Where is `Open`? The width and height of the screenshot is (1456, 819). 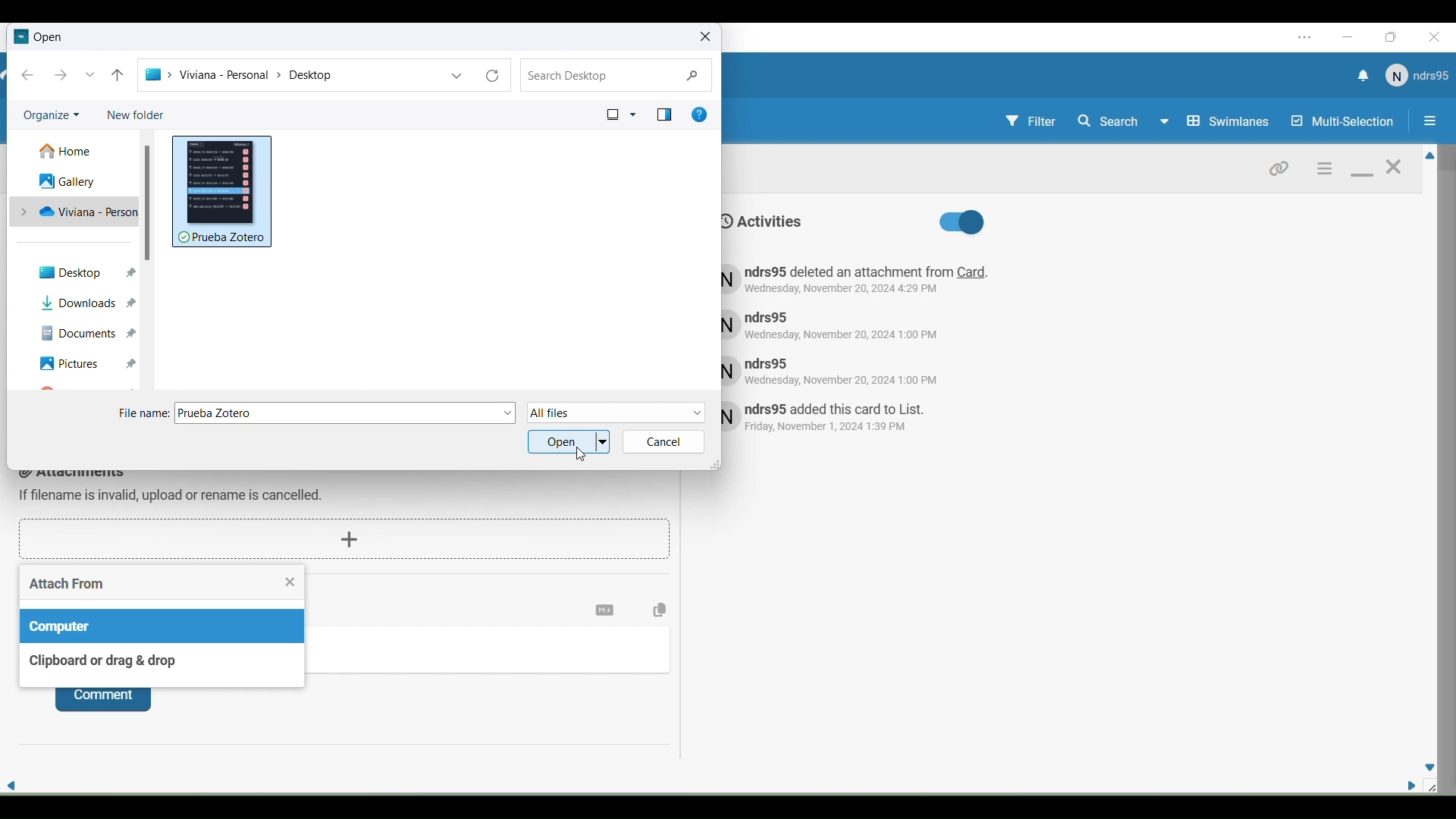
Open is located at coordinates (50, 38).